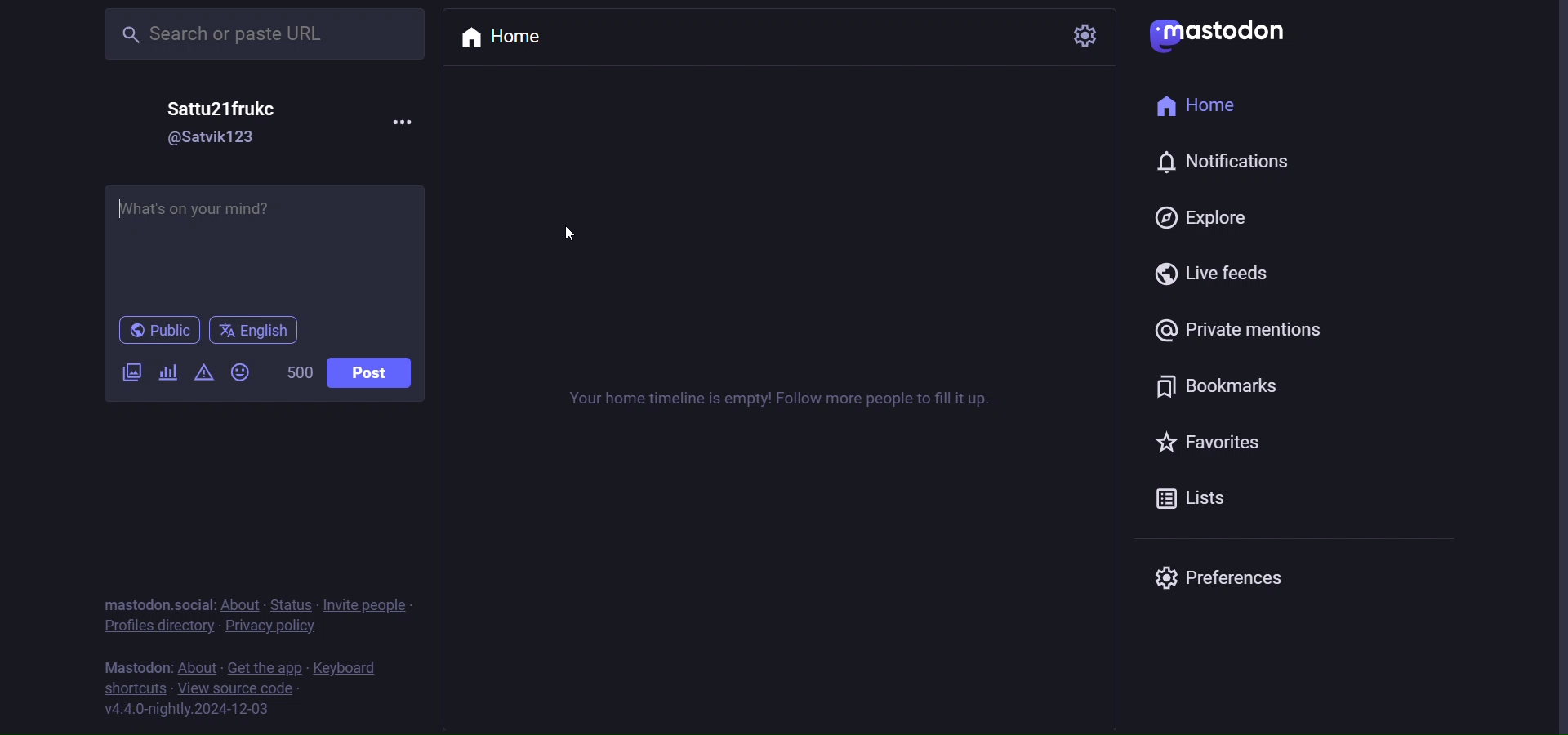 The height and width of the screenshot is (735, 1568). Describe the element at coordinates (1225, 163) in the screenshot. I see `notifiation` at that location.